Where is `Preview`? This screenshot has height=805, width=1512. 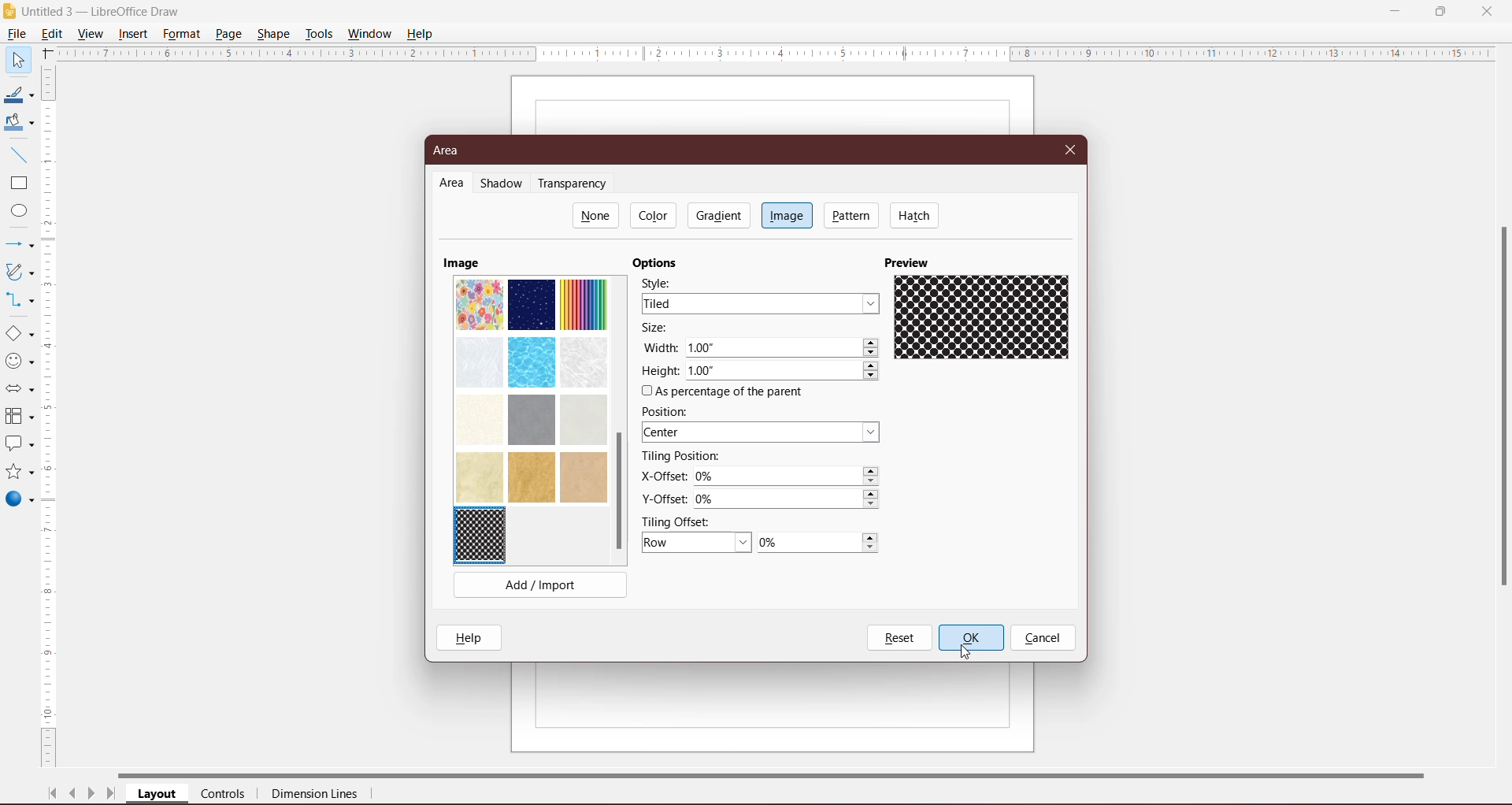
Preview is located at coordinates (910, 262).